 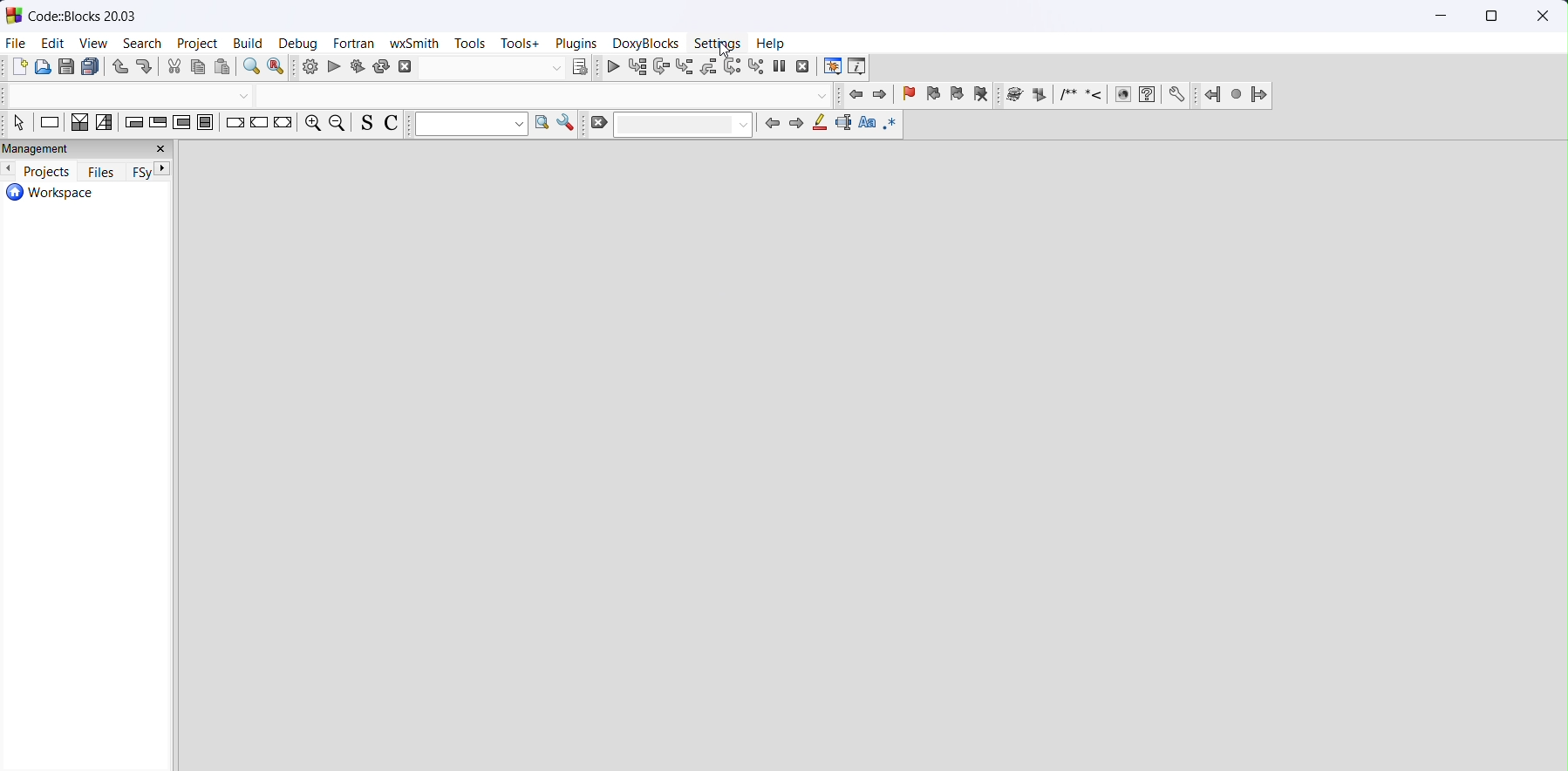 I want to click on next, so click(x=797, y=125).